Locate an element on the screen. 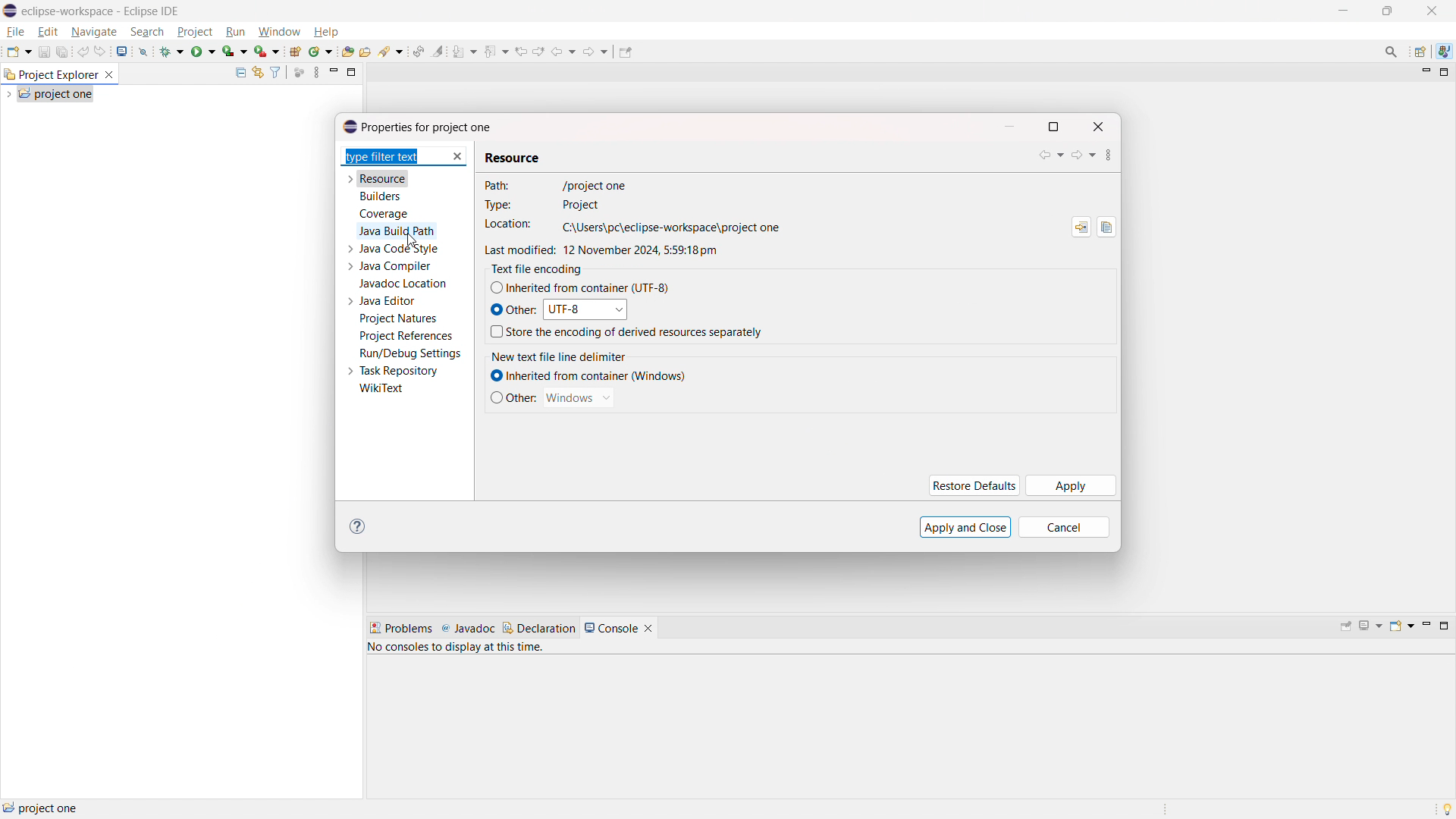  project one is located at coordinates (56, 93).